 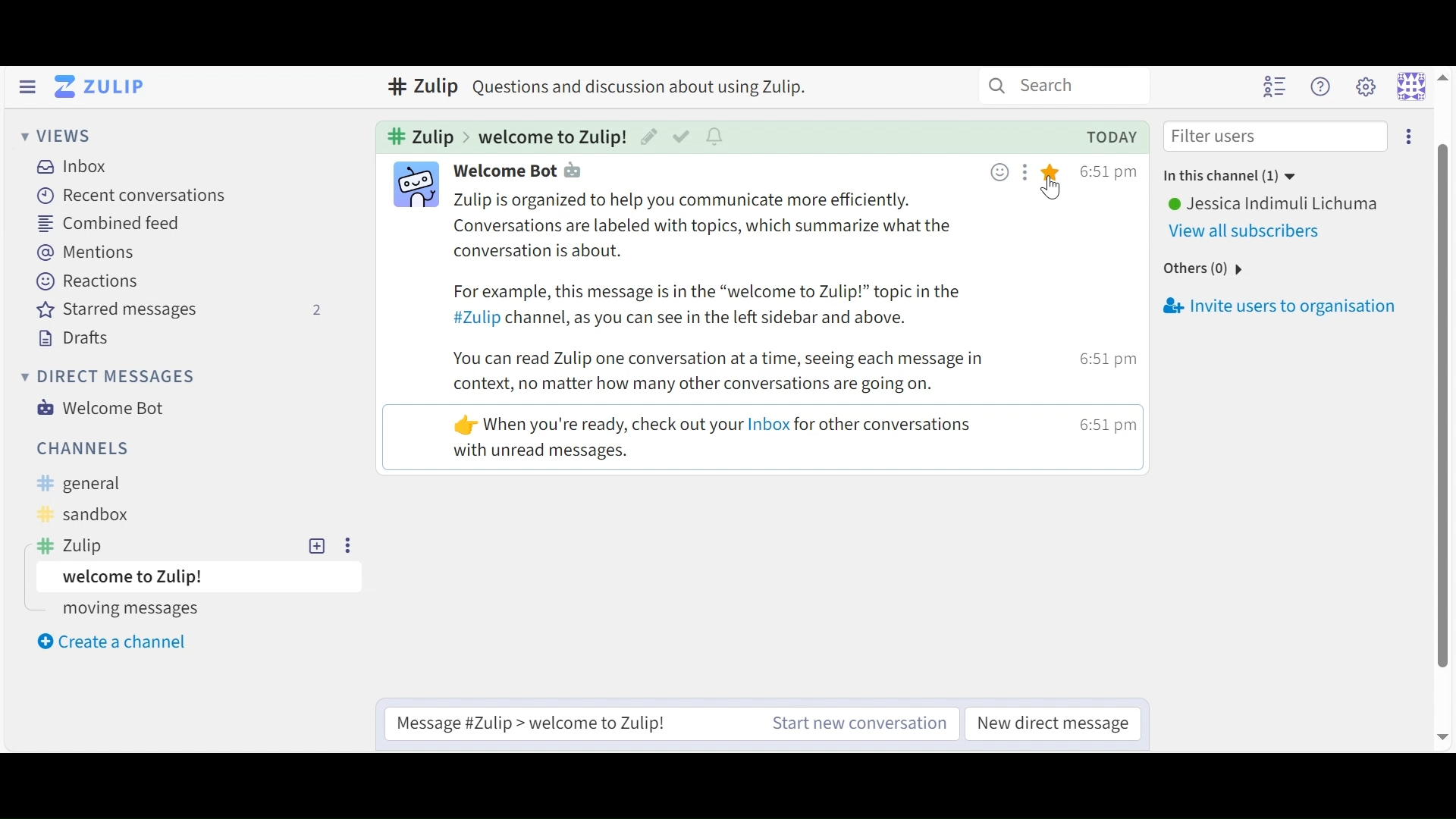 I want to click on Direct Messages, so click(x=106, y=377).